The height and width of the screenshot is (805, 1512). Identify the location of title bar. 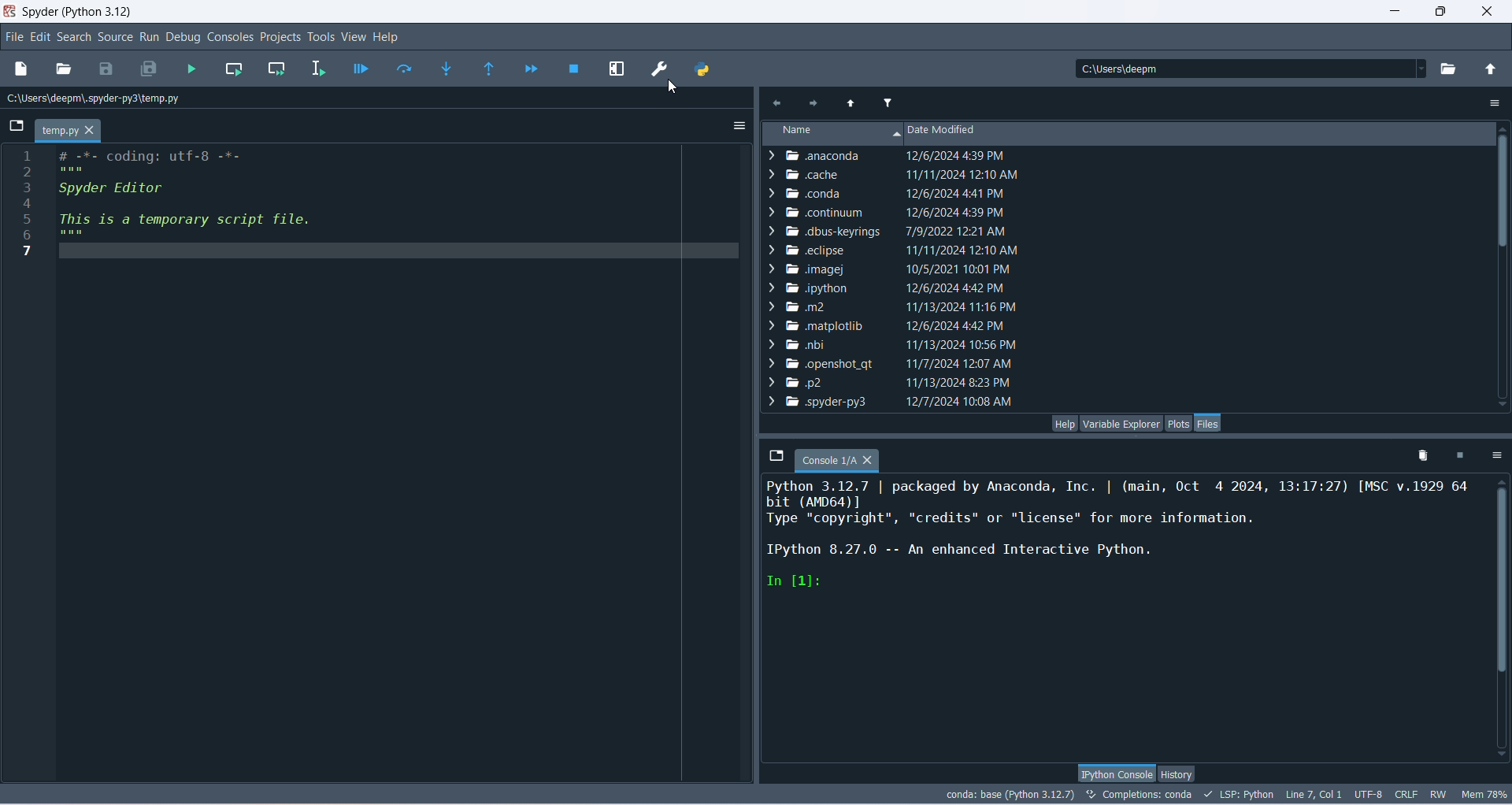
(77, 10).